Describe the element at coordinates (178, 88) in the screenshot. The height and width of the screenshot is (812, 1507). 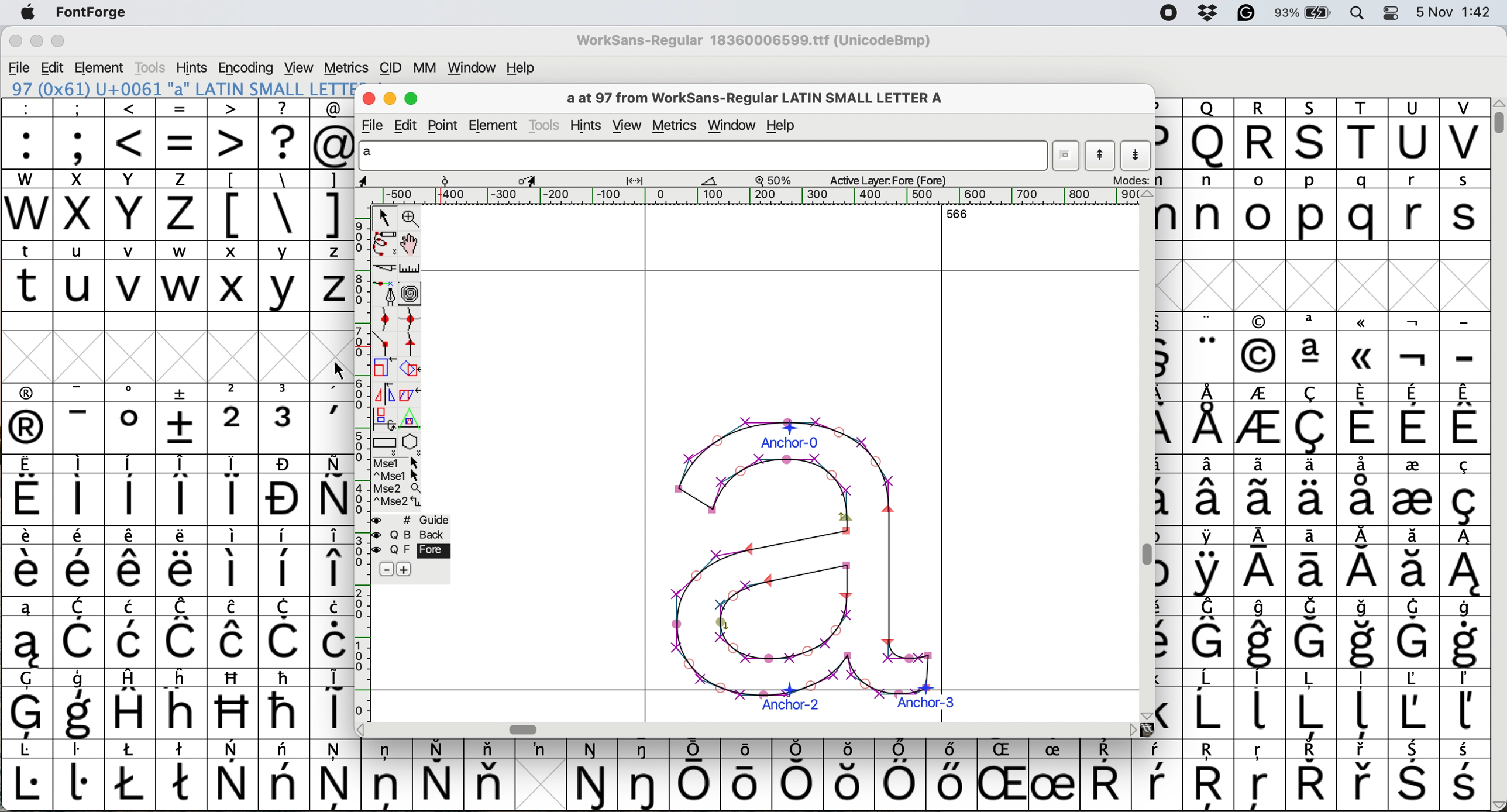
I see `153 (0x99) U+0099 "uni0099" Latin-1 Supplement` at that location.